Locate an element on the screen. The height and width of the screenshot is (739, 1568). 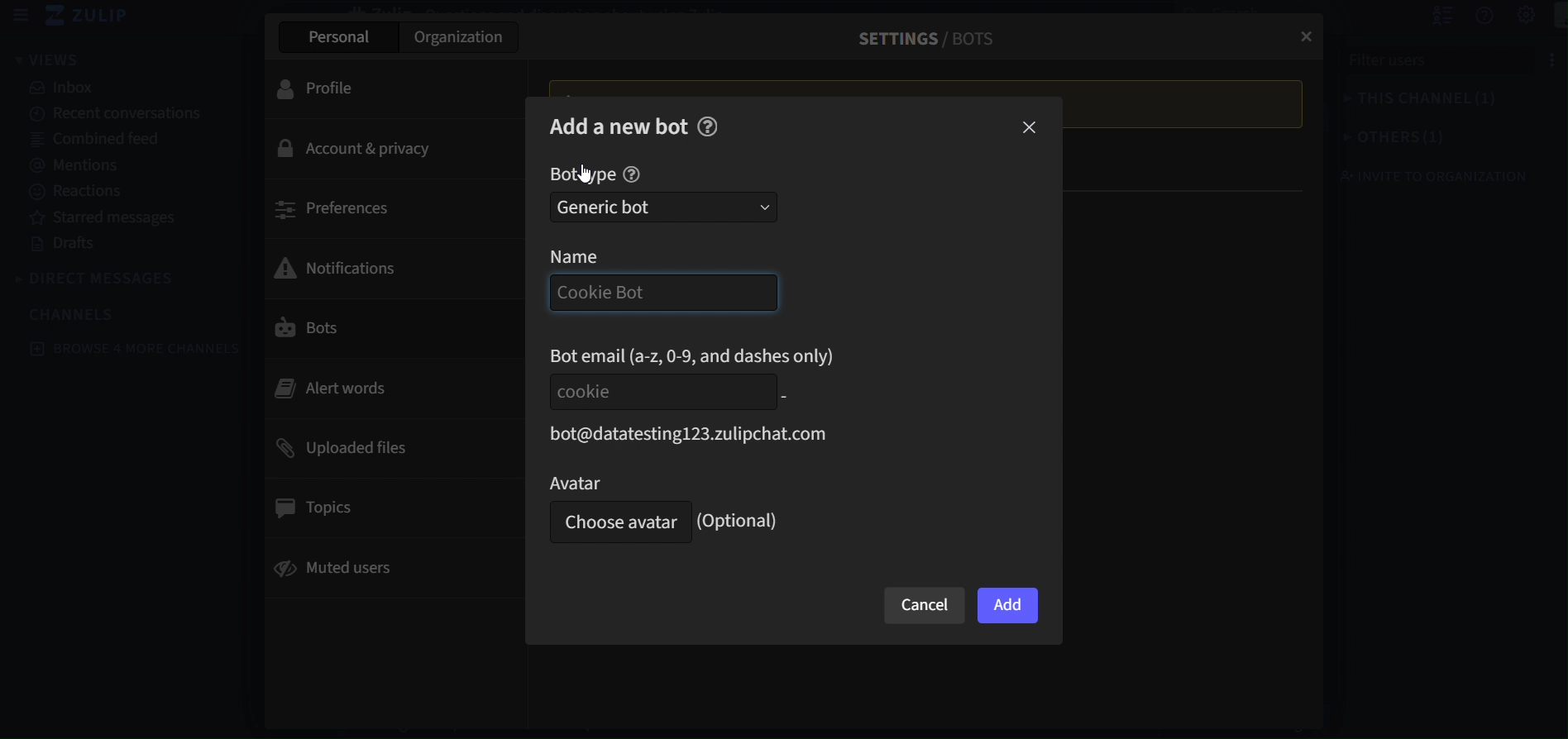
bot@datatesting123.zulipchat.com is located at coordinates (683, 435).